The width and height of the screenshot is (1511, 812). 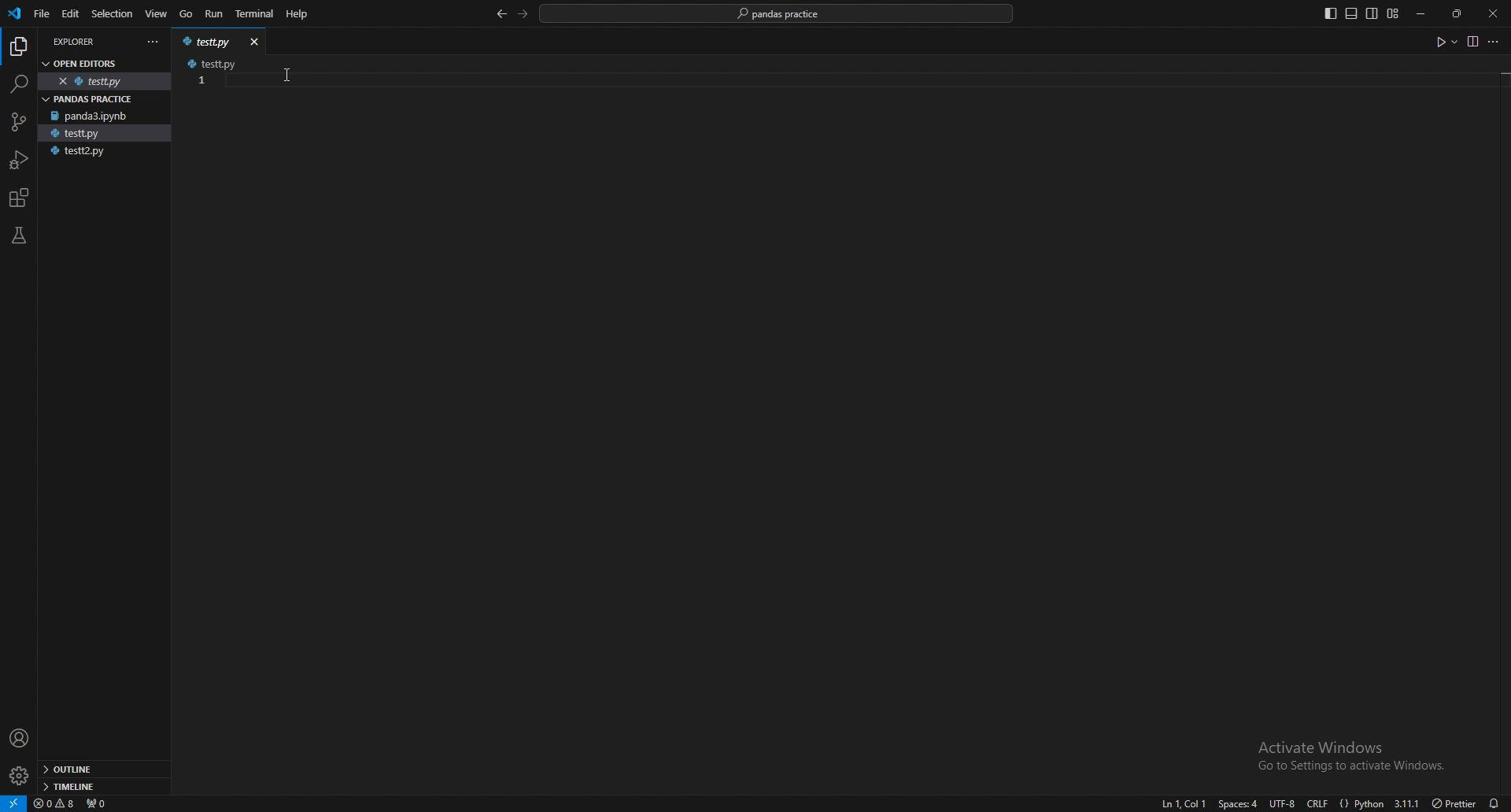 What do you see at coordinates (17, 122) in the screenshot?
I see `source control` at bounding box center [17, 122].